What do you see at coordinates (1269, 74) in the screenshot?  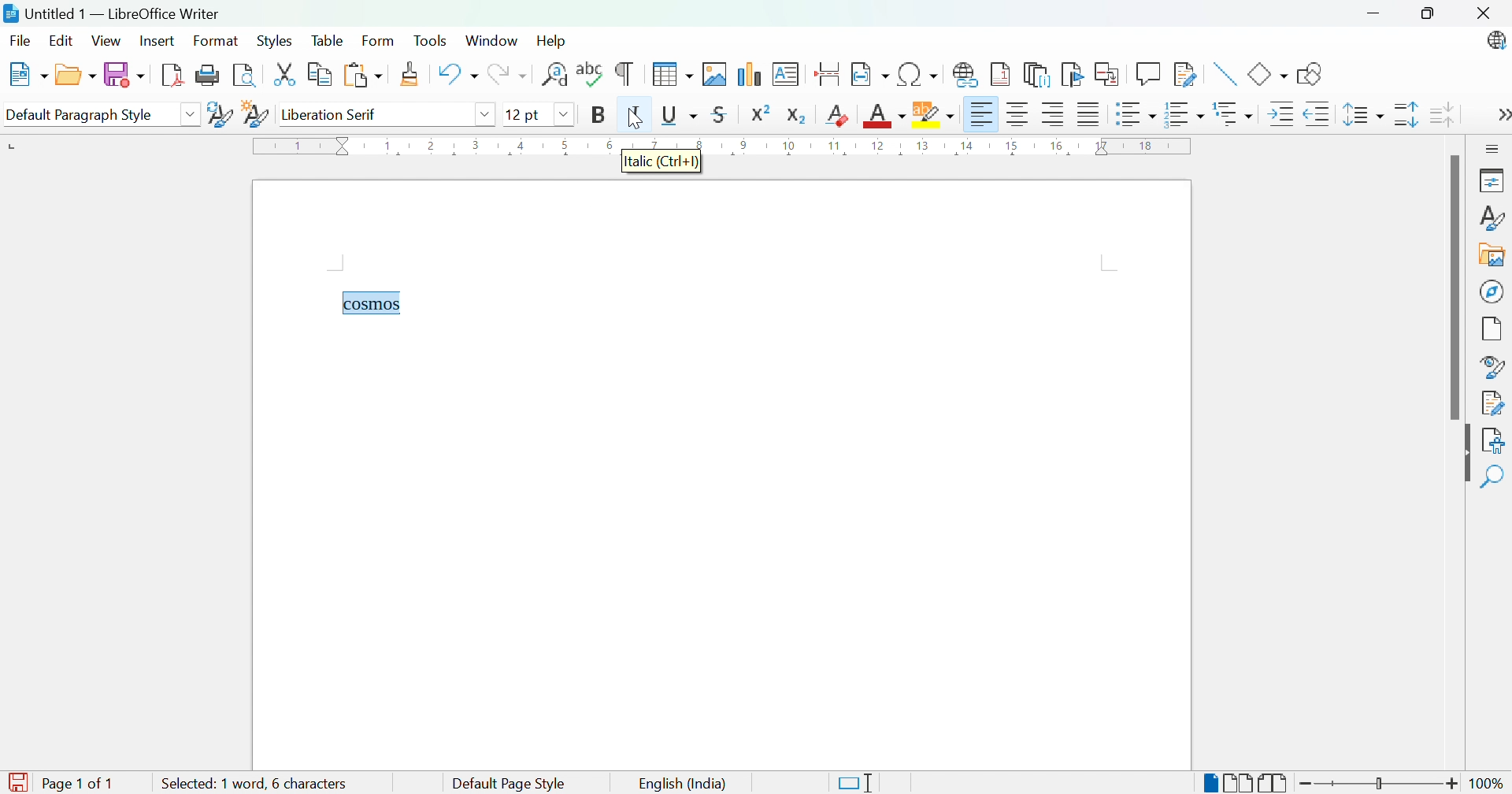 I see `Basic shapes` at bounding box center [1269, 74].